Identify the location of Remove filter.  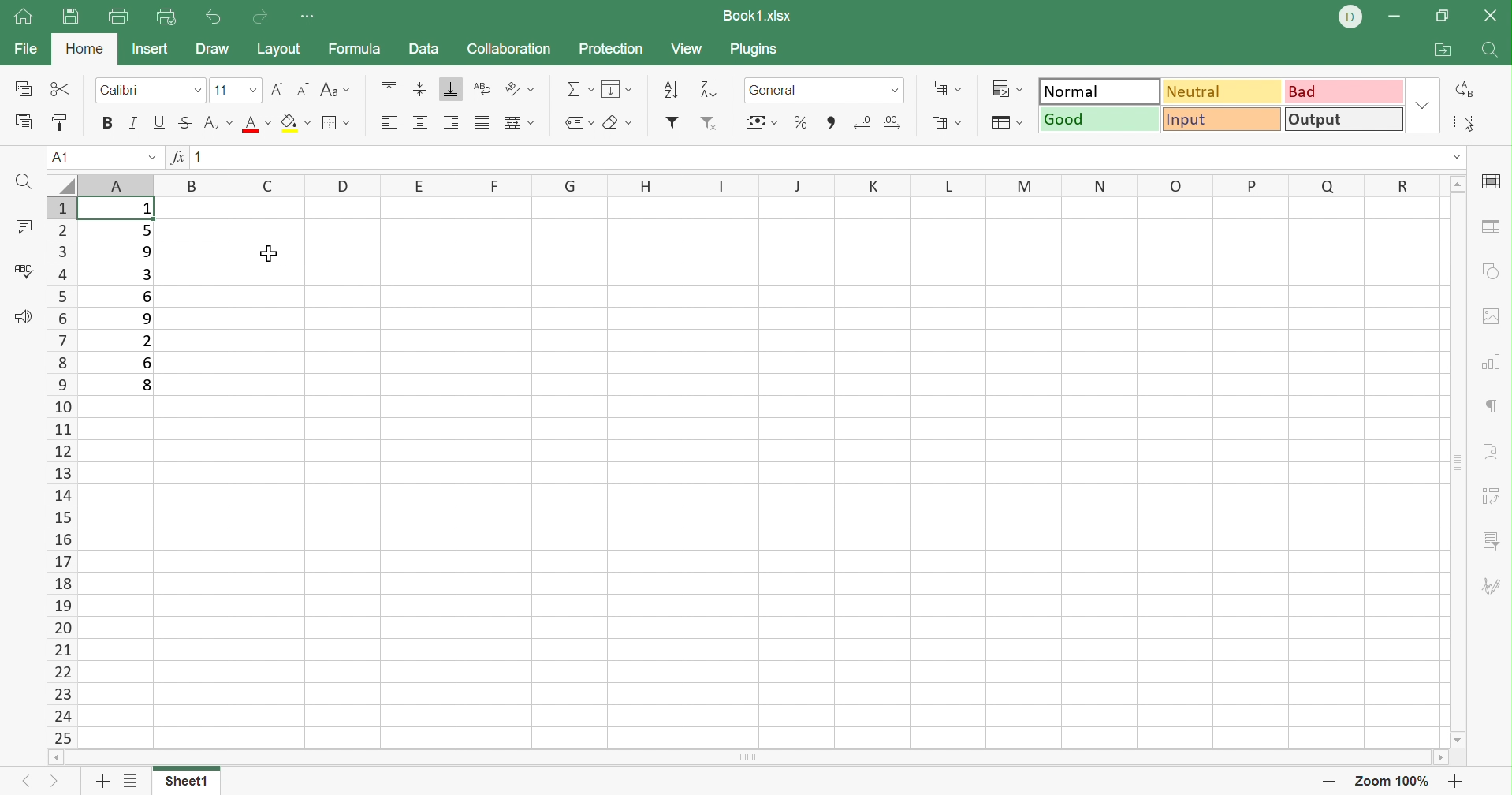
(709, 125).